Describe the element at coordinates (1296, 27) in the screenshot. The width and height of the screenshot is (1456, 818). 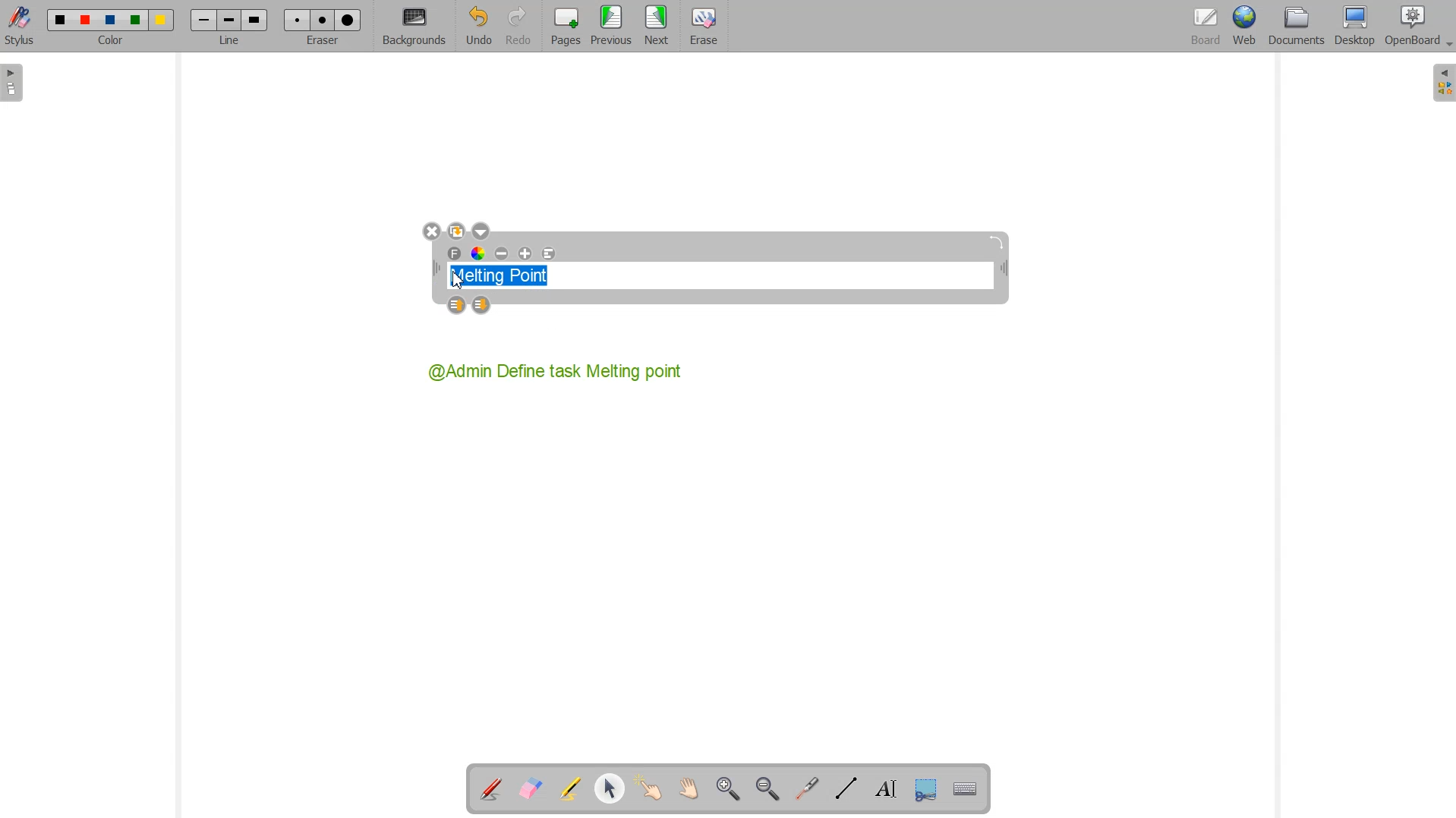
I see `Documents` at that location.